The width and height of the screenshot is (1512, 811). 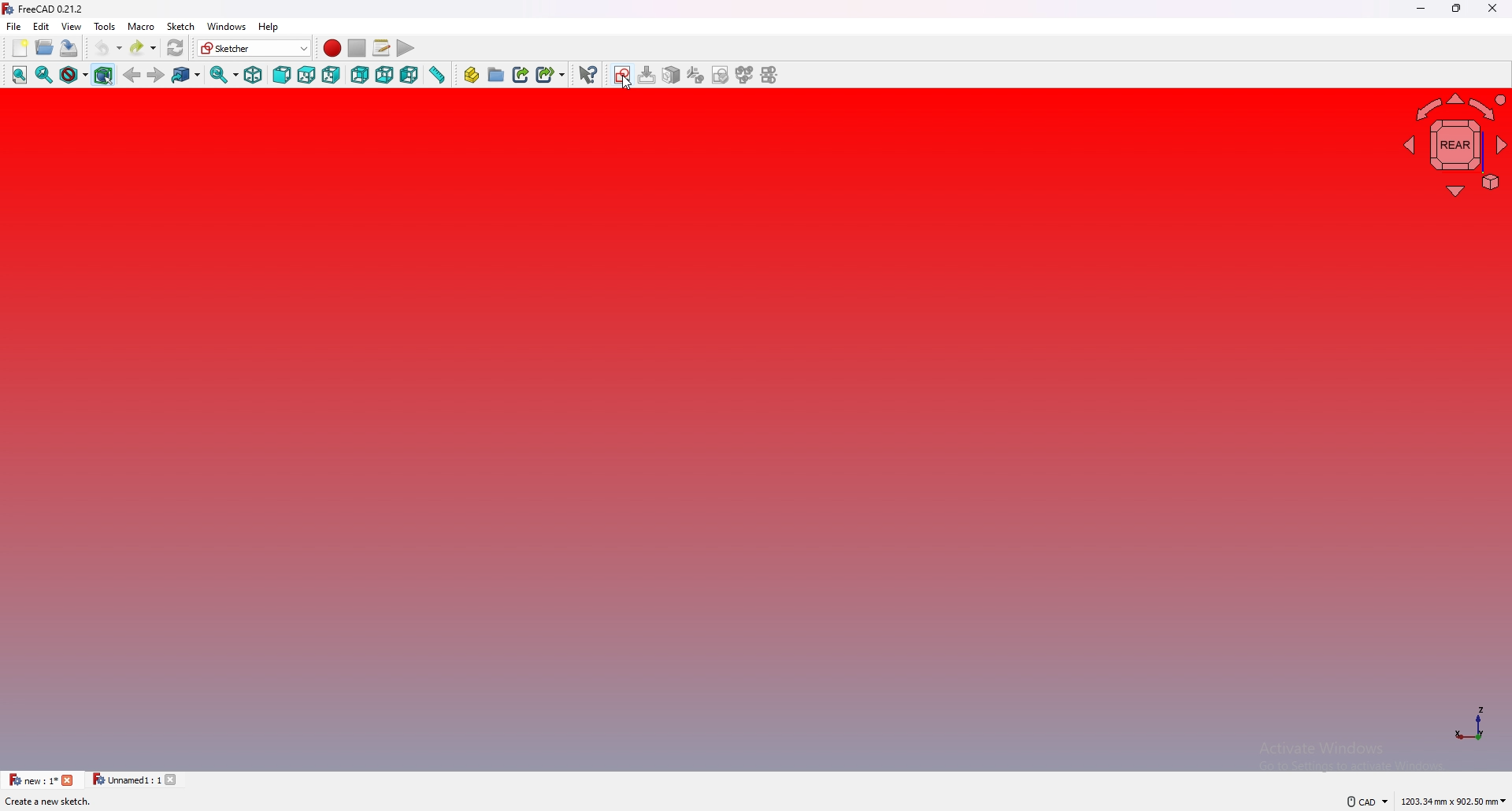 I want to click on tools, so click(x=105, y=26).